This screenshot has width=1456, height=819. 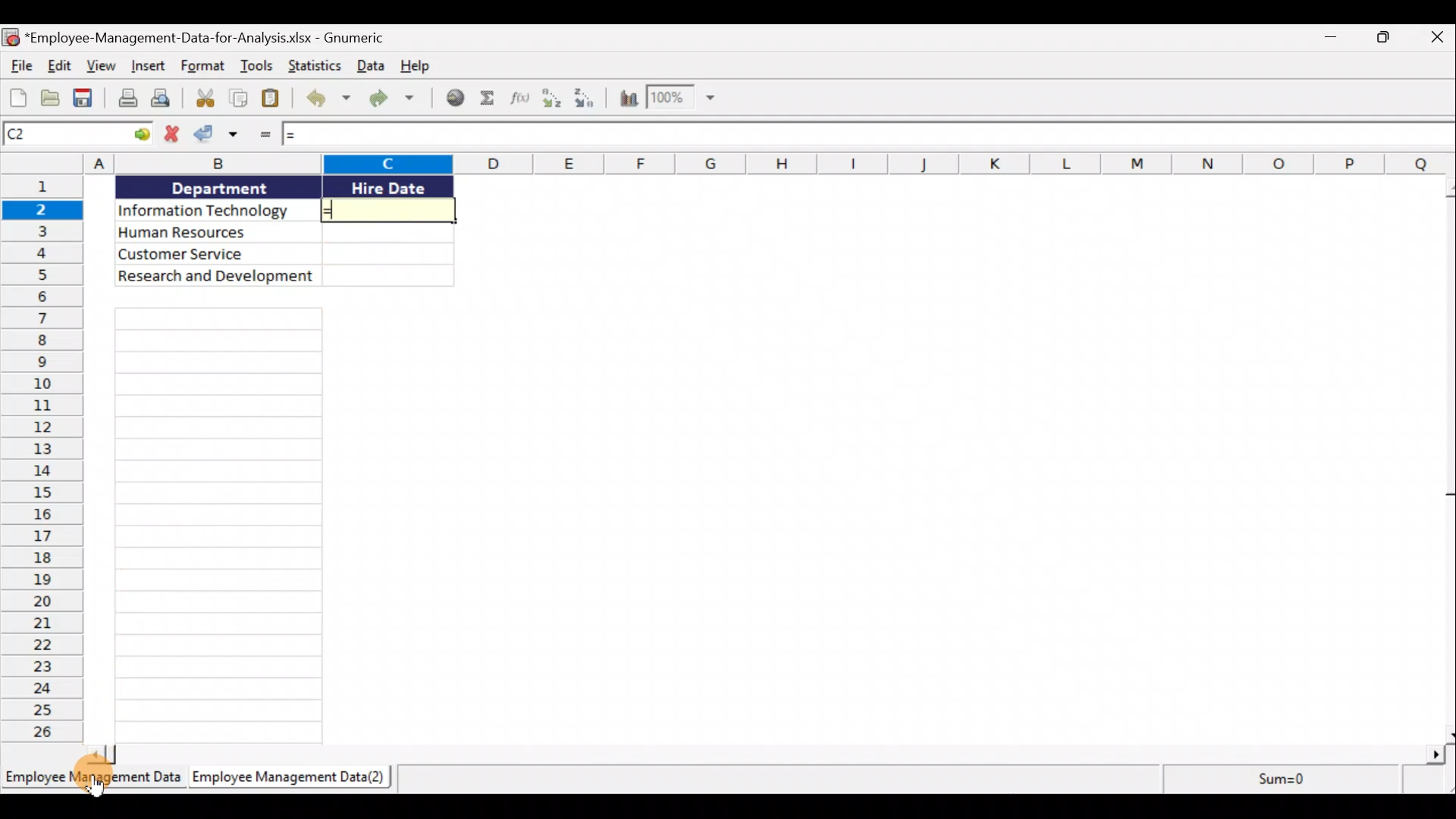 I want to click on =, so click(x=295, y=134).